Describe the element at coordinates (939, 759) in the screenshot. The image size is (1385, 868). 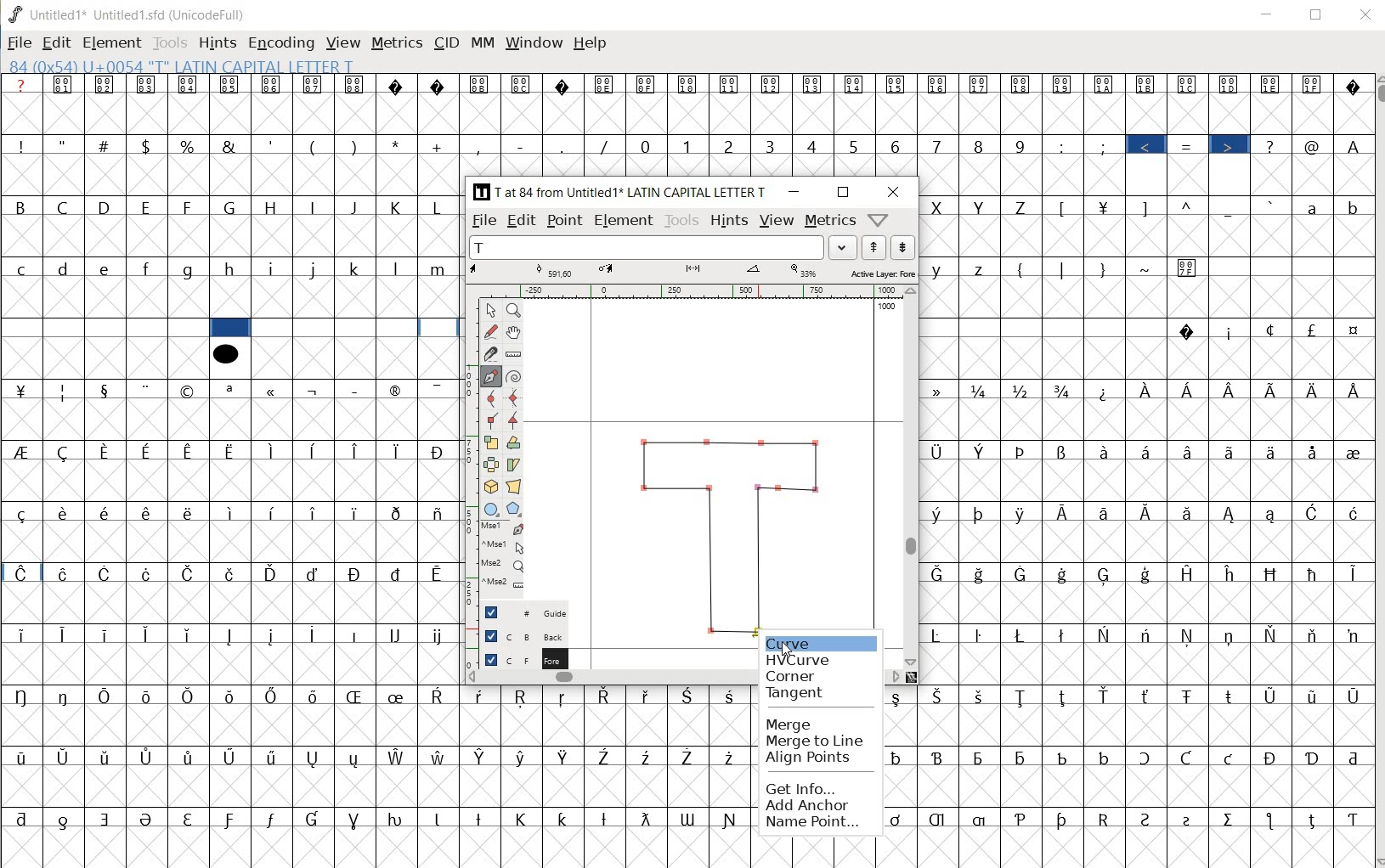
I see `Symbol` at that location.